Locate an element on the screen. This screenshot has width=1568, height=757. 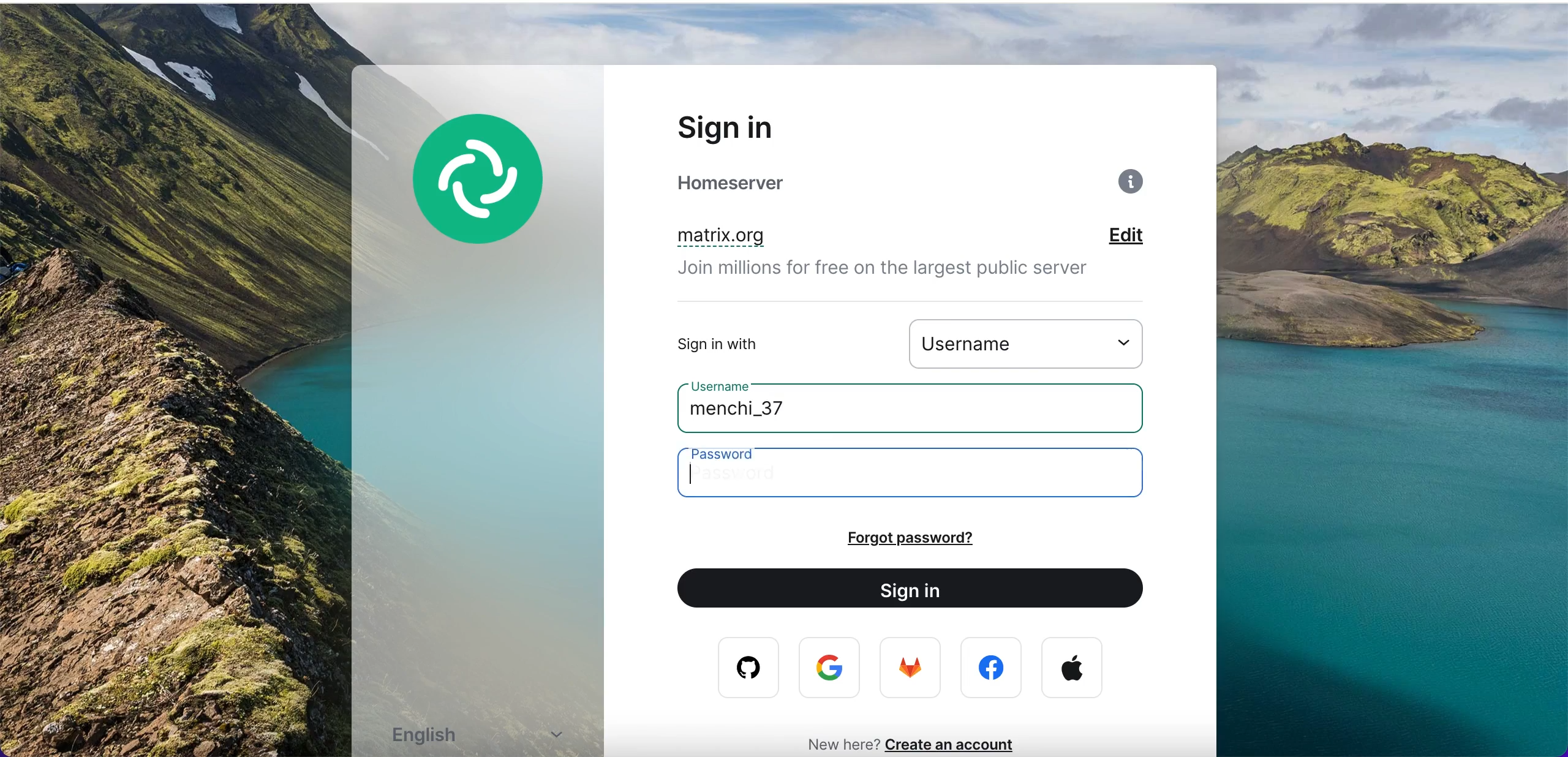
sign in with is located at coordinates (756, 344).